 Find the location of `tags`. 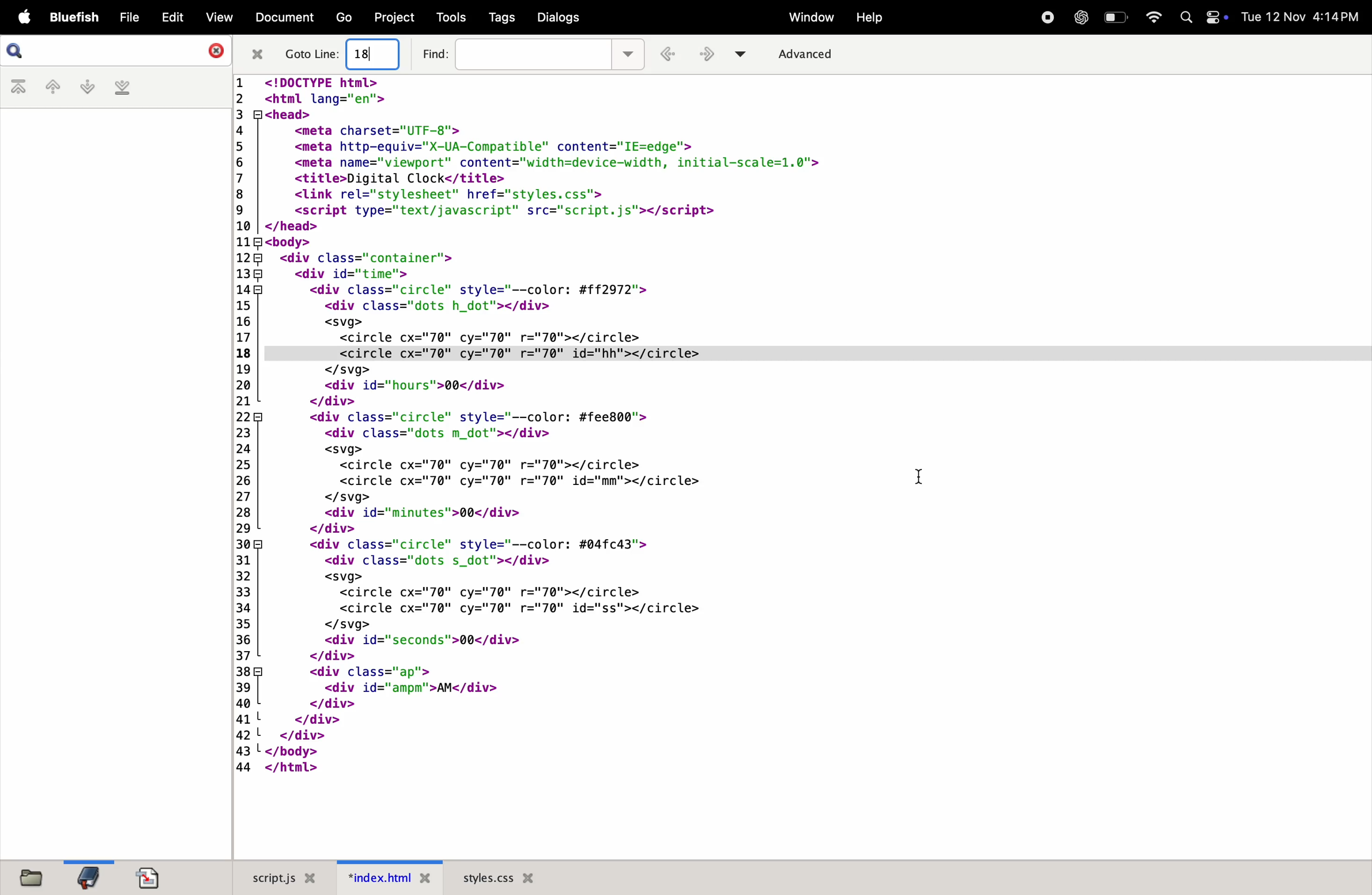

tags is located at coordinates (499, 18).